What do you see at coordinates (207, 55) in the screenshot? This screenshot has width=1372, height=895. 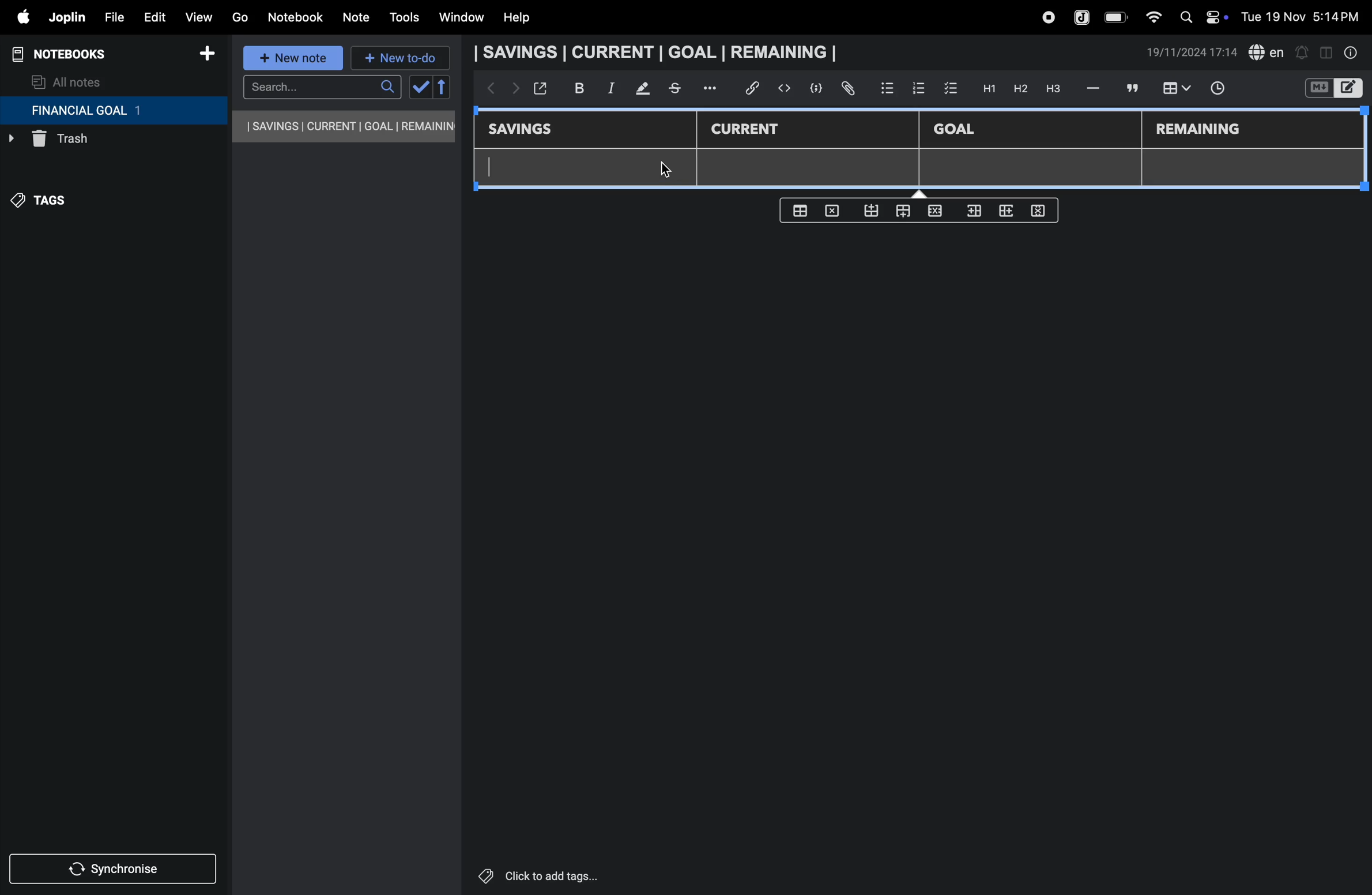 I see `add` at bounding box center [207, 55].